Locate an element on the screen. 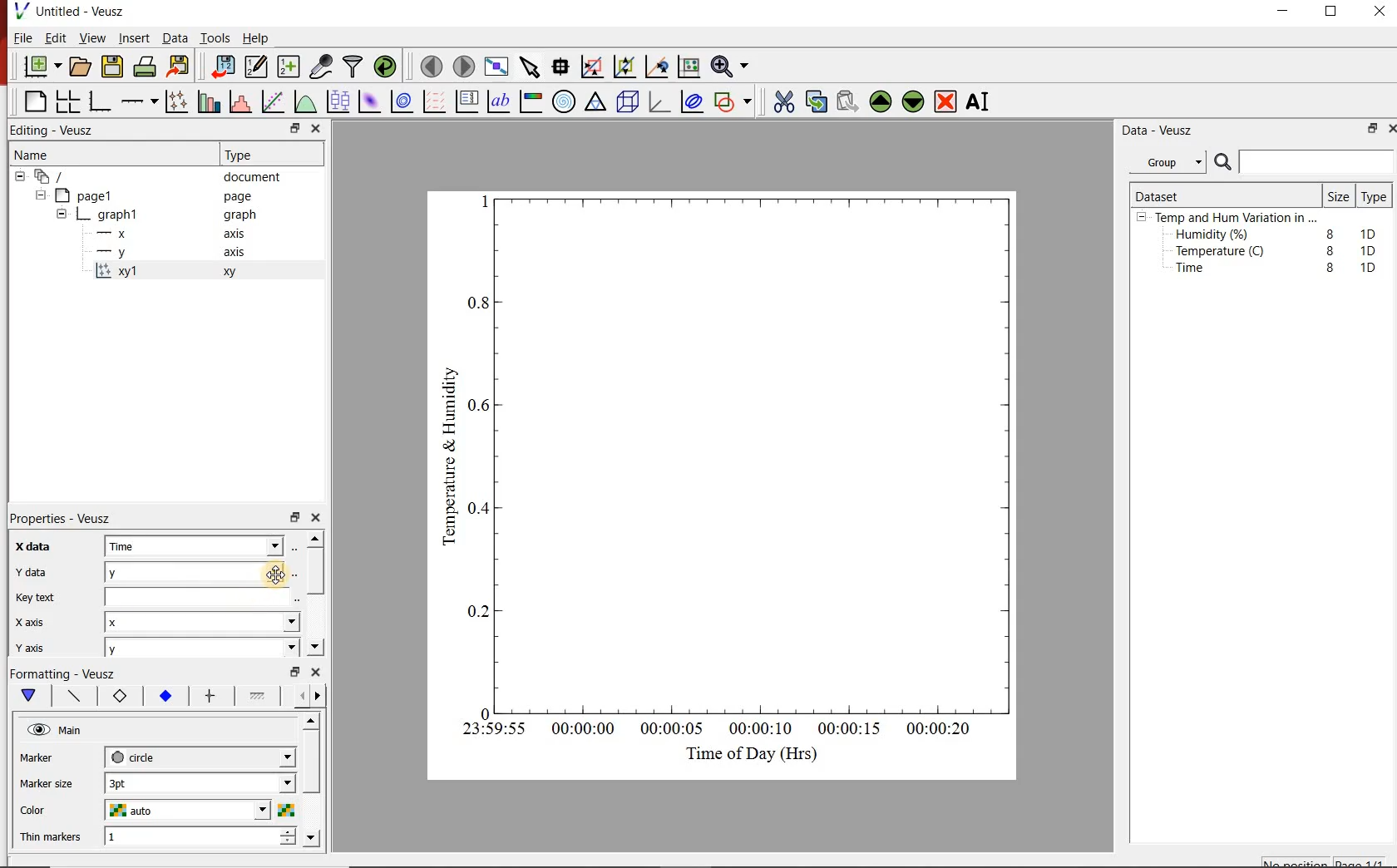 Image resolution: width=1397 pixels, height=868 pixels. Properties - Veusz is located at coordinates (69, 515).